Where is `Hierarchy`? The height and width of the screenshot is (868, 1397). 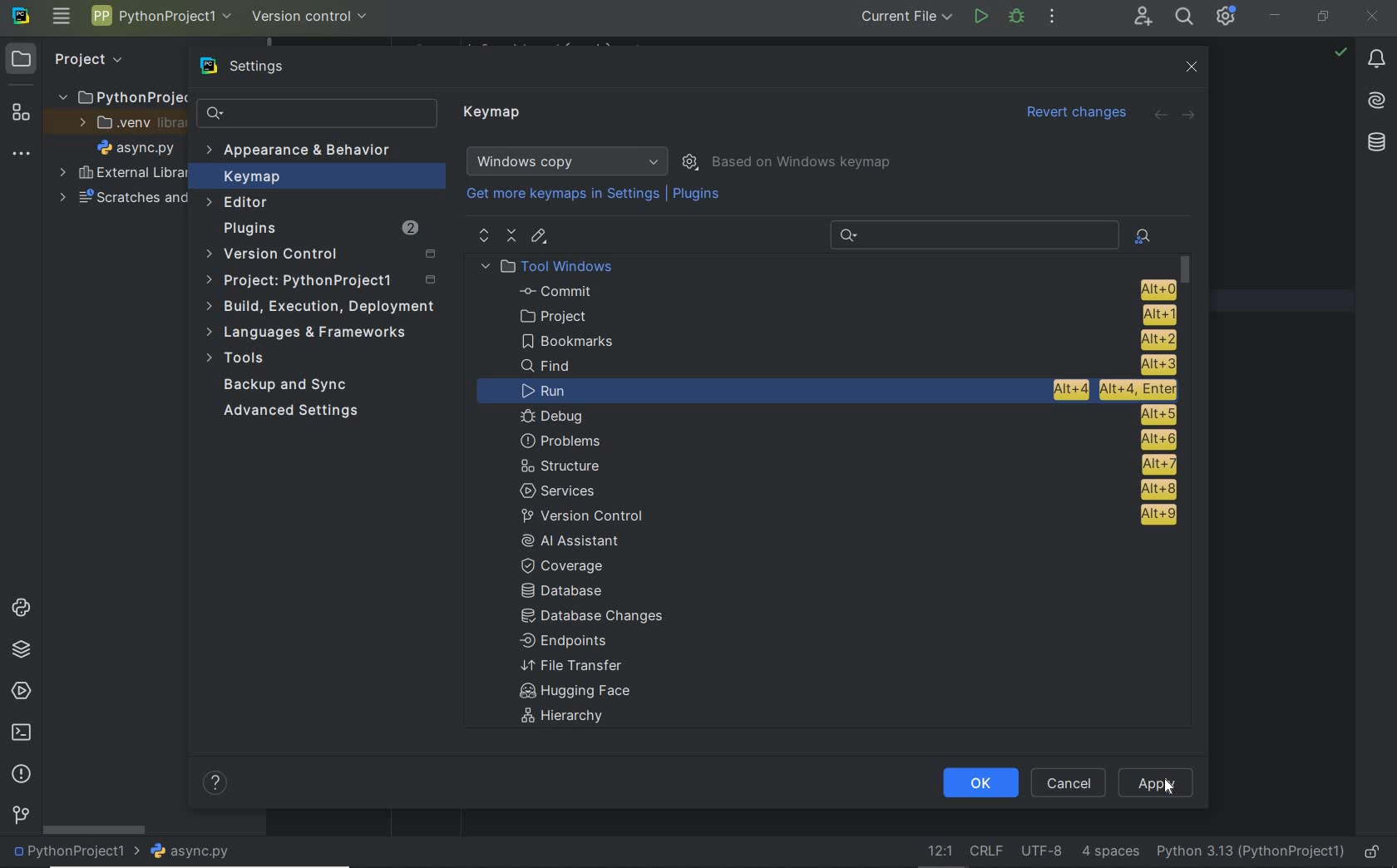 Hierarchy is located at coordinates (571, 718).